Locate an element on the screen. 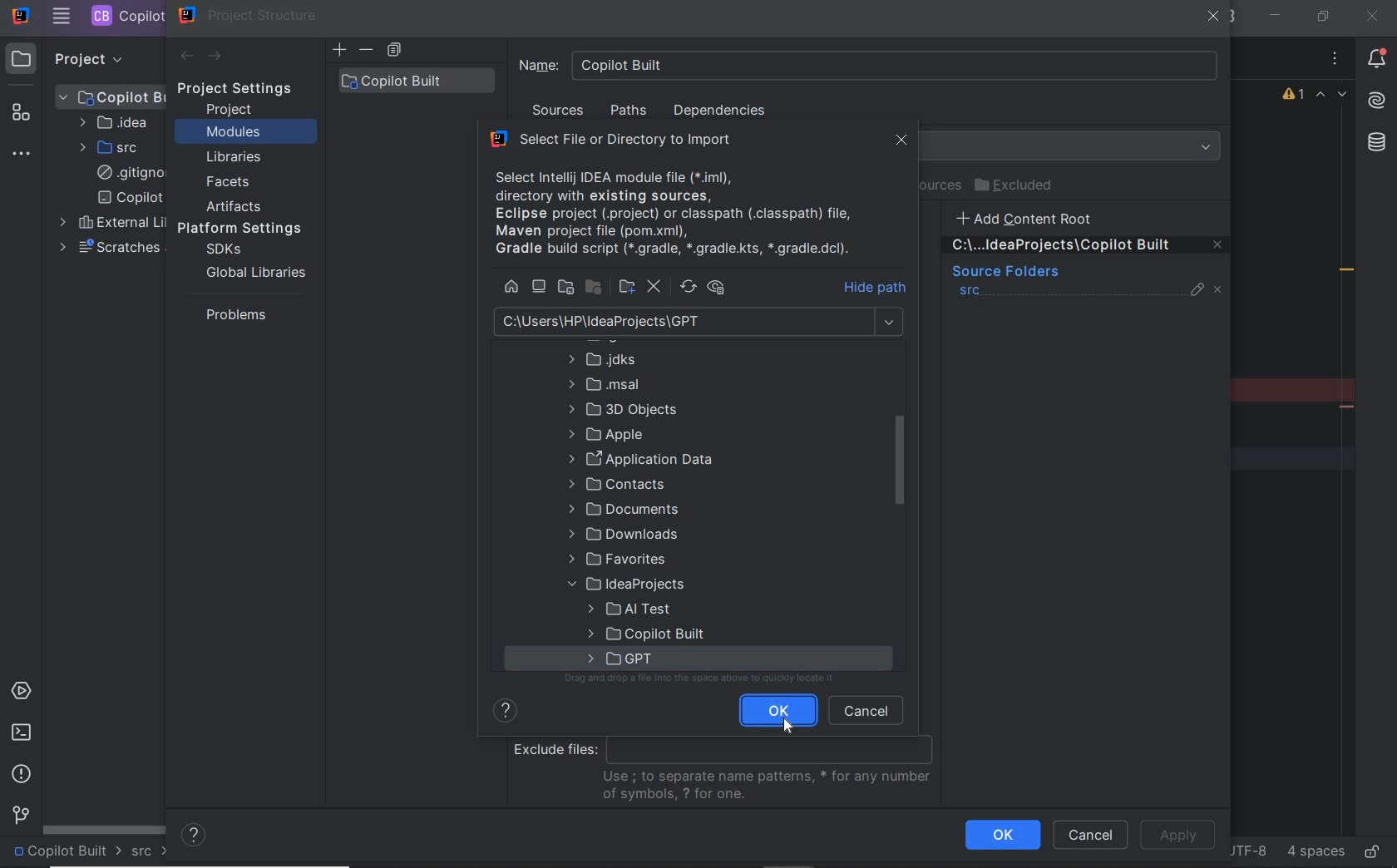 This screenshot has width=1397, height=868. database is located at coordinates (1375, 145).